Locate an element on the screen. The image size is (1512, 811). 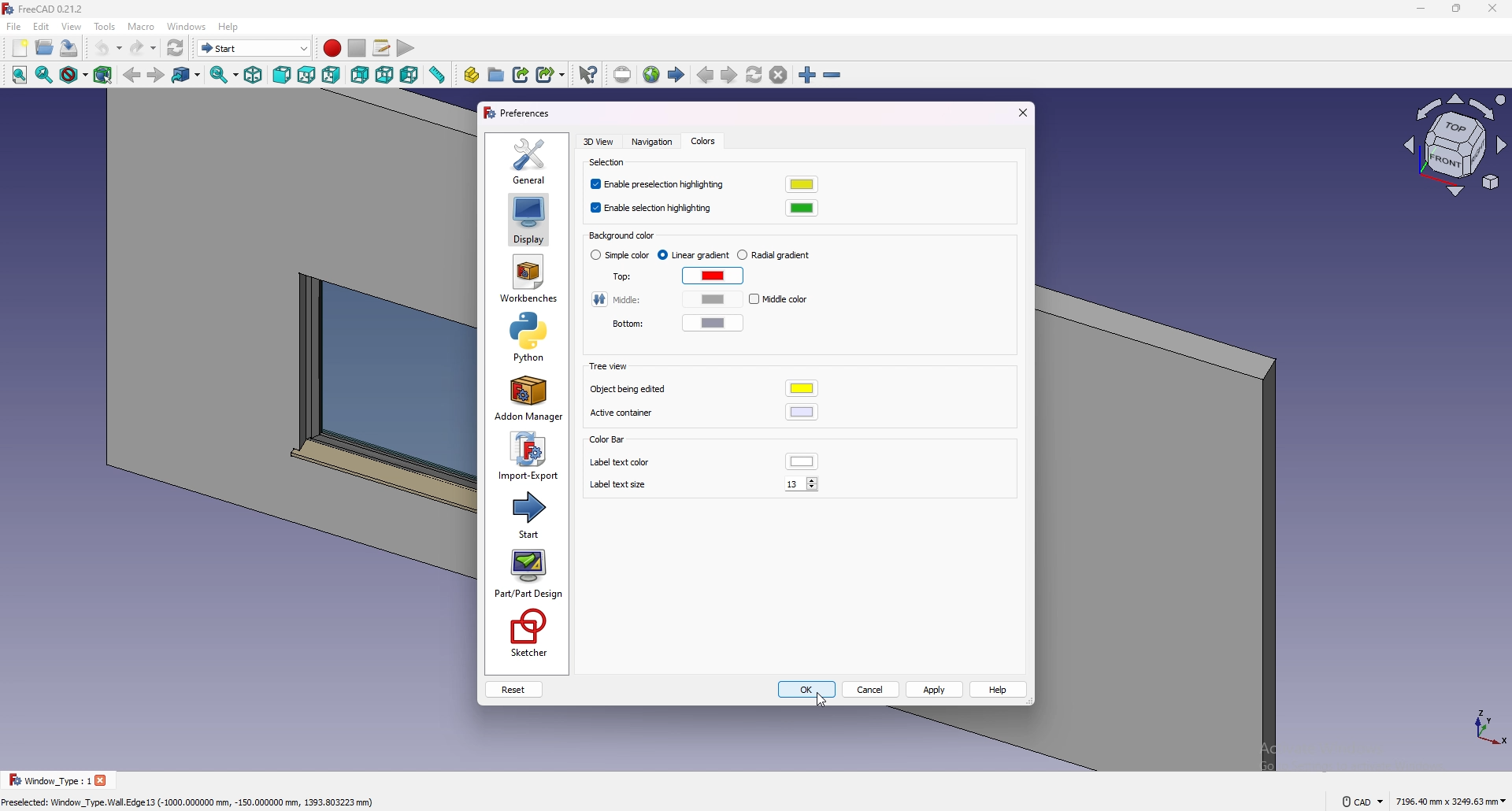
execute macro is located at coordinates (405, 50).